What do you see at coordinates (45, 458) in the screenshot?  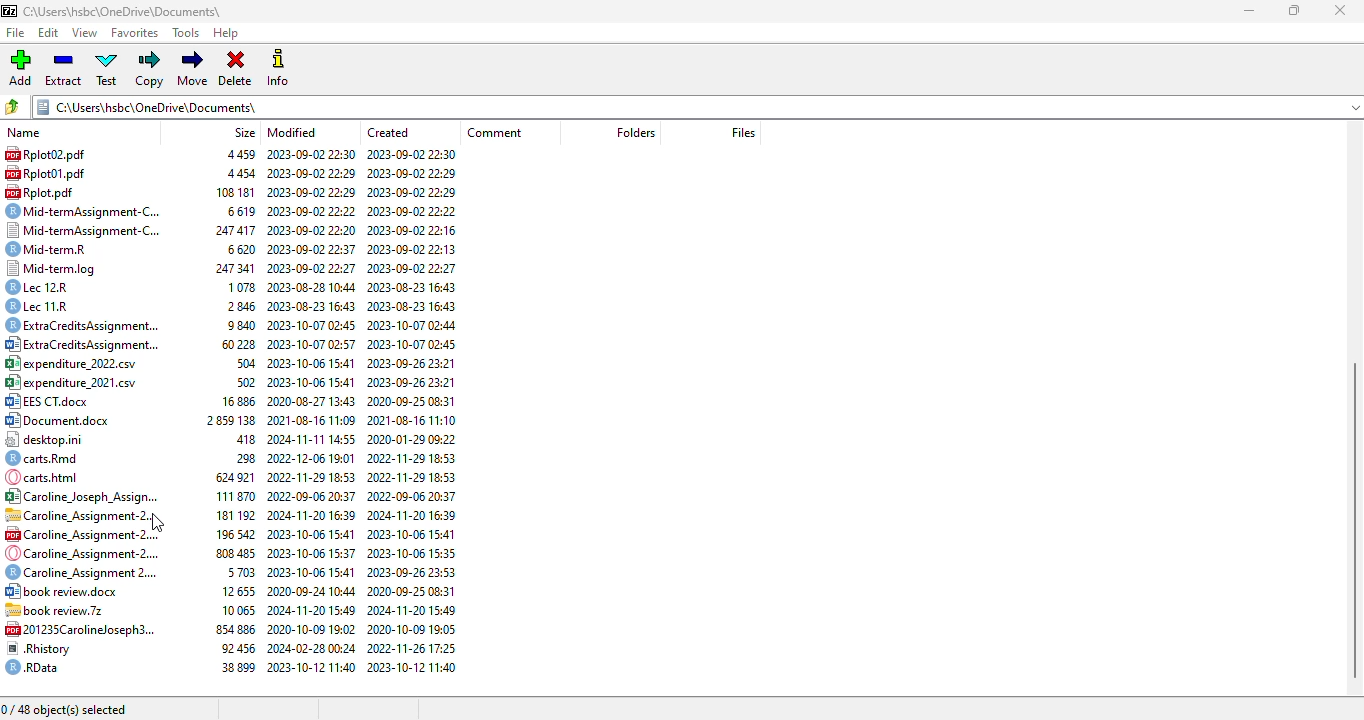 I see ` ecarts. Rmd` at bounding box center [45, 458].